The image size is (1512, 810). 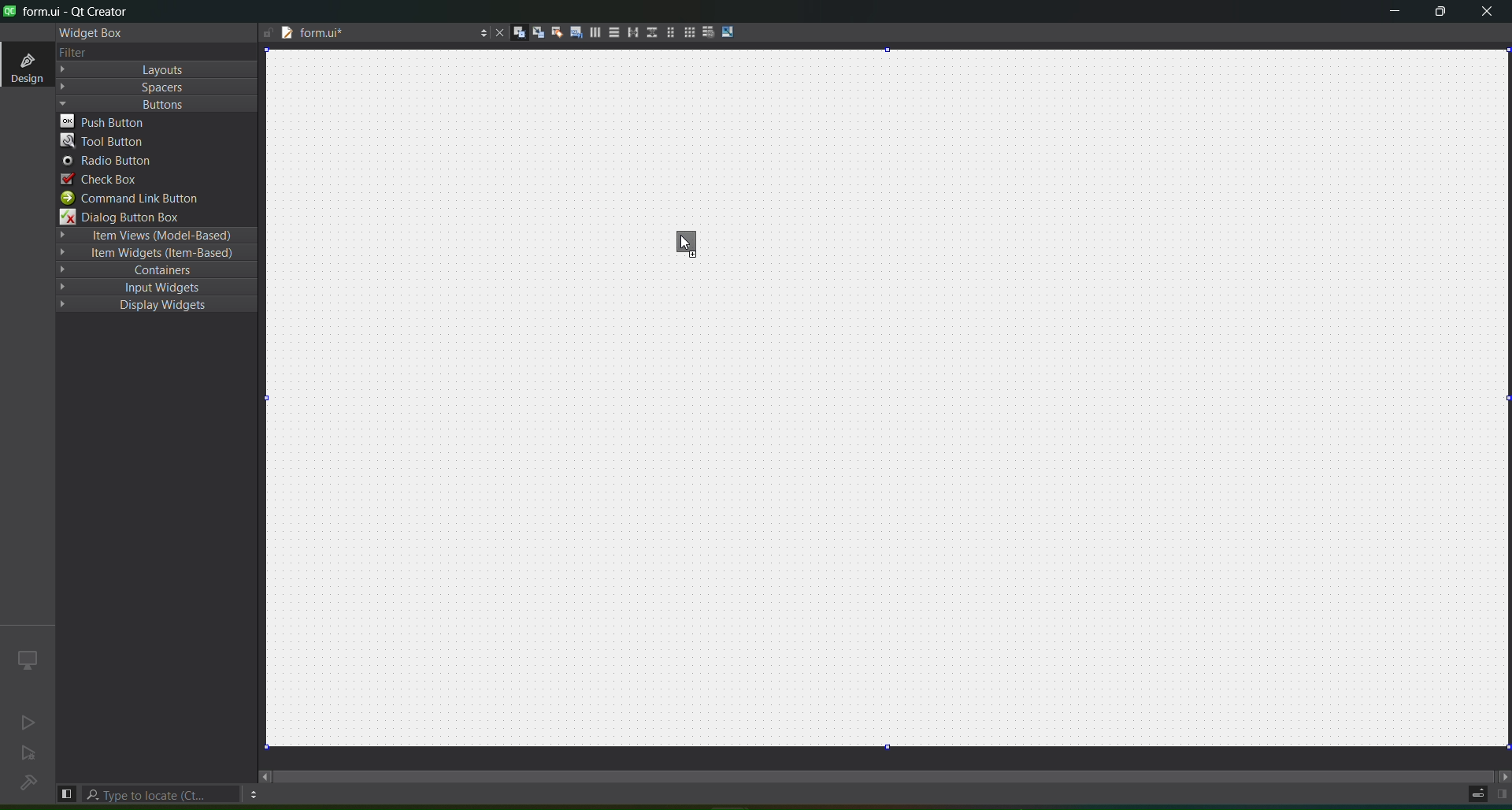 What do you see at coordinates (156, 291) in the screenshot?
I see `input widgets` at bounding box center [156, 291].